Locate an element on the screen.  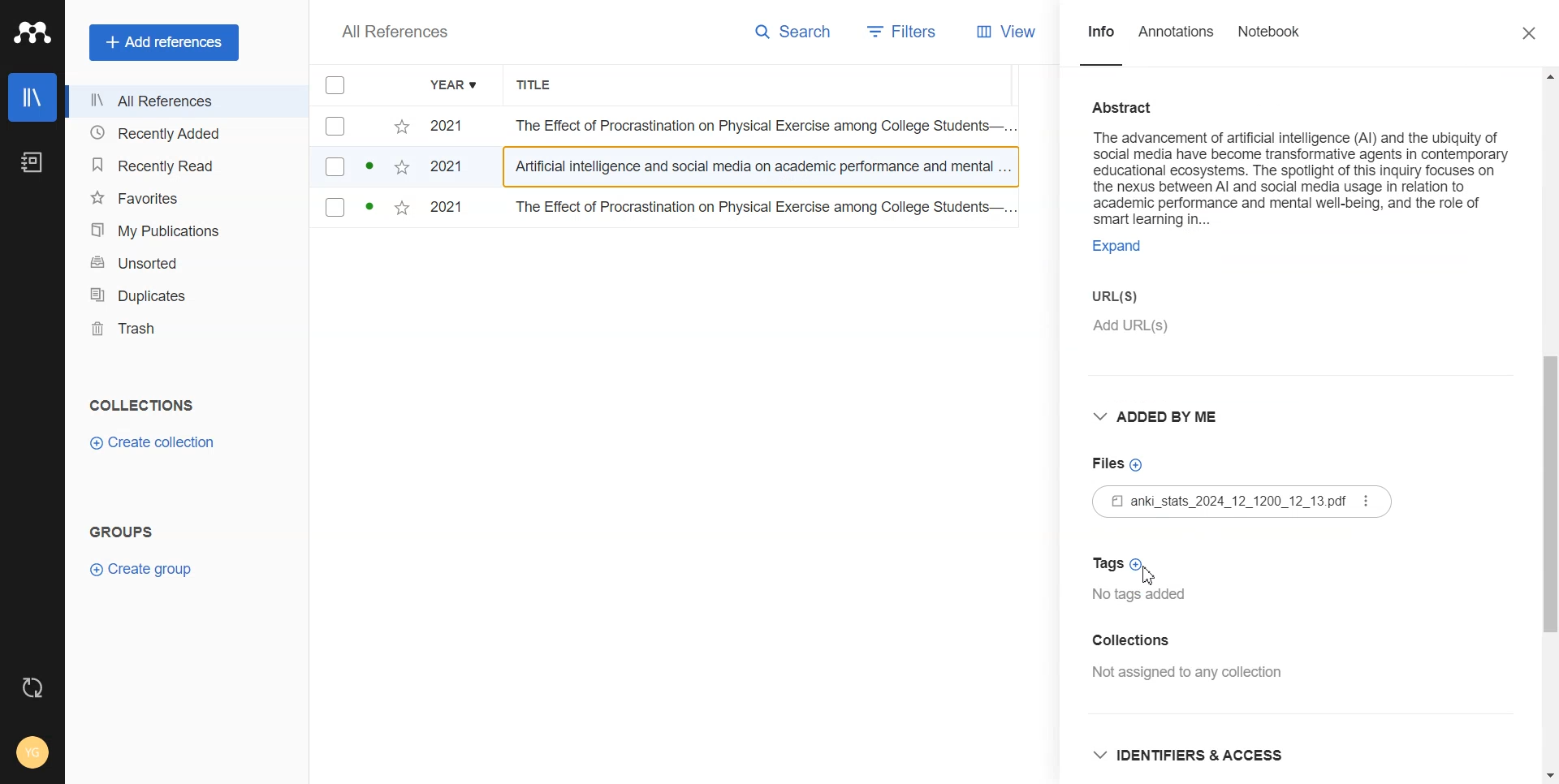
Vertical scroll bar is located at coordinates (1549, 424).